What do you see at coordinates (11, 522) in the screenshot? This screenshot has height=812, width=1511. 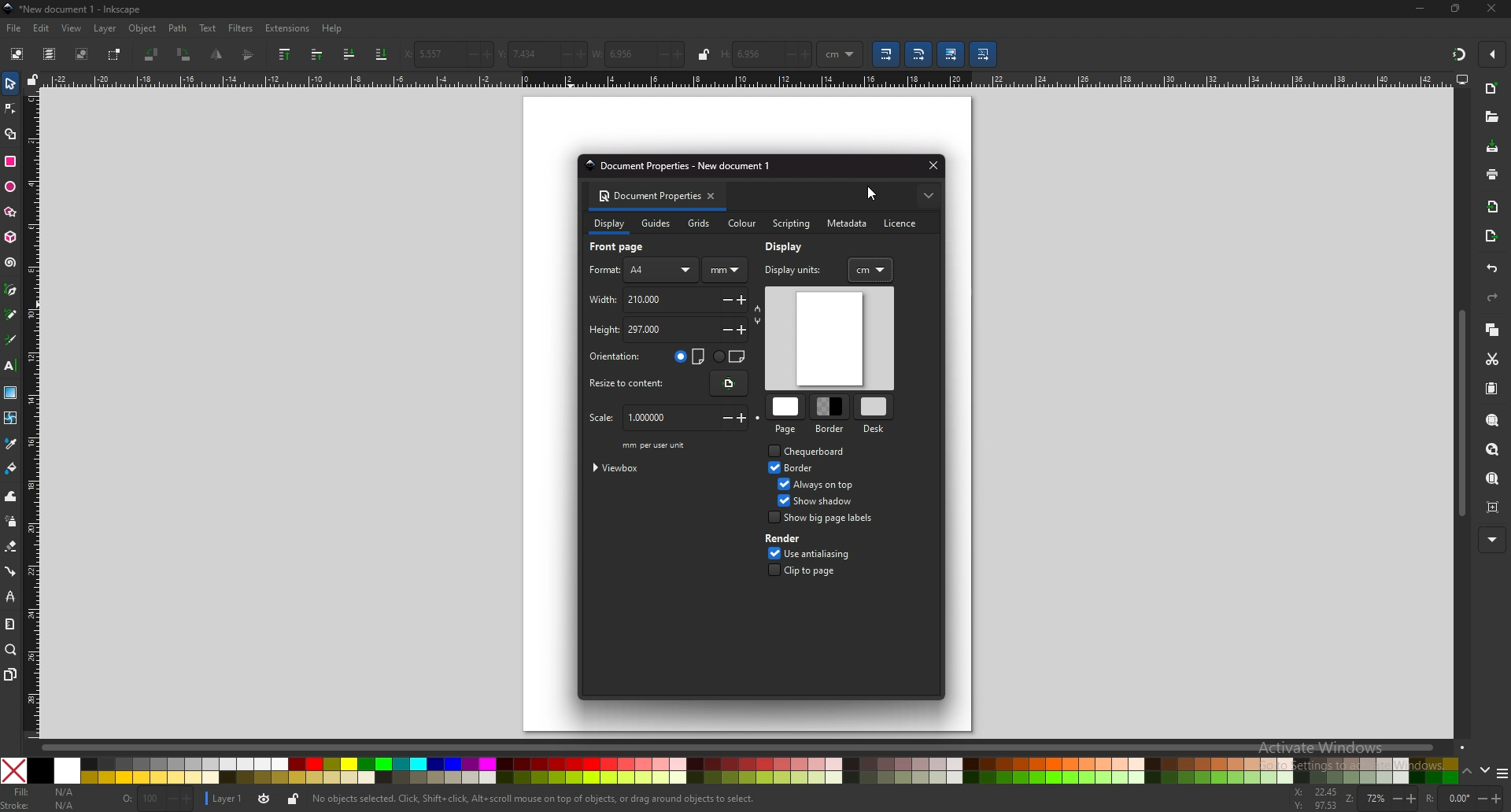 I see `spray` at bounding box center [11, 522].